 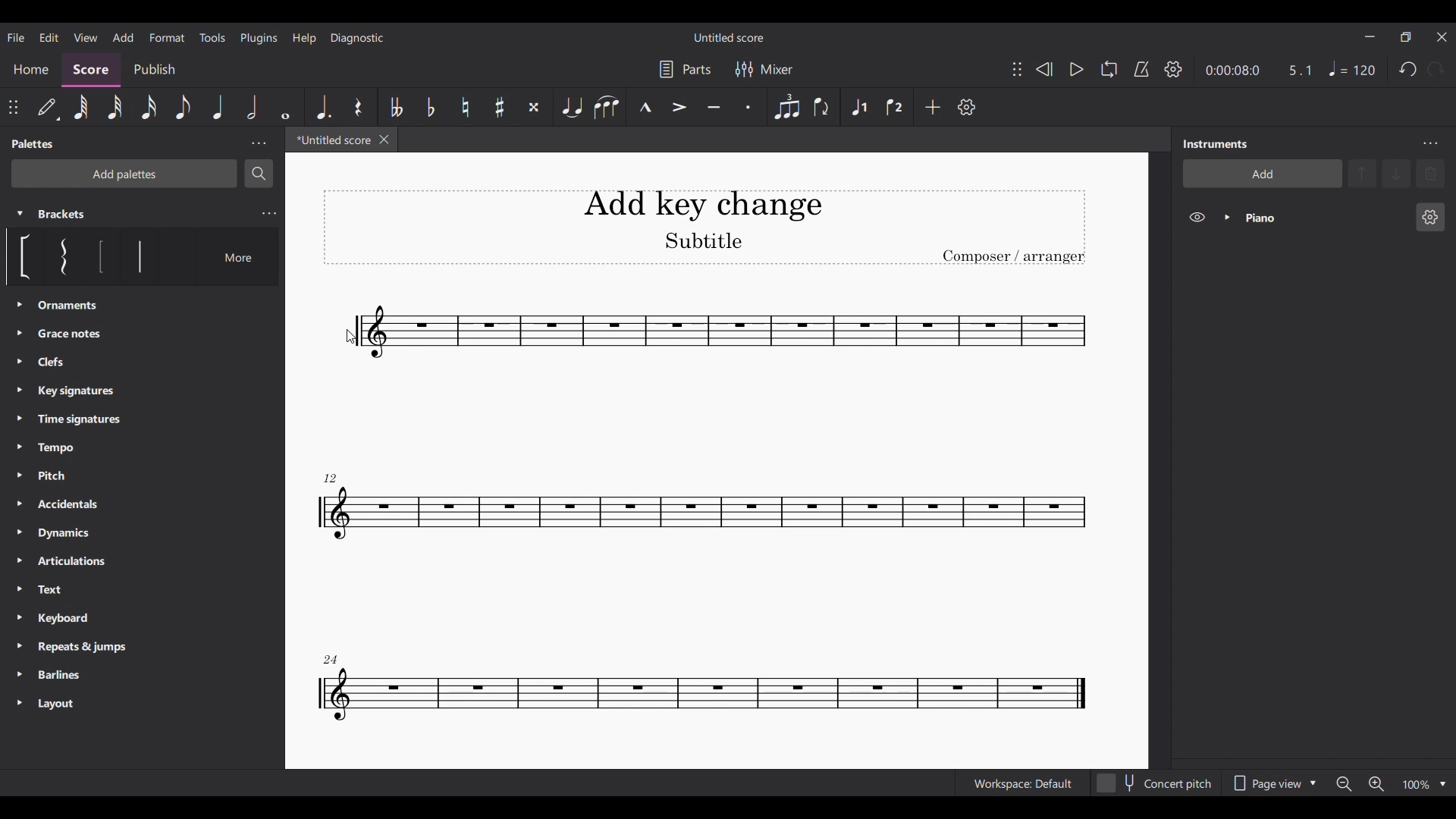 I want to click on Search, so click(x=259, y=174).